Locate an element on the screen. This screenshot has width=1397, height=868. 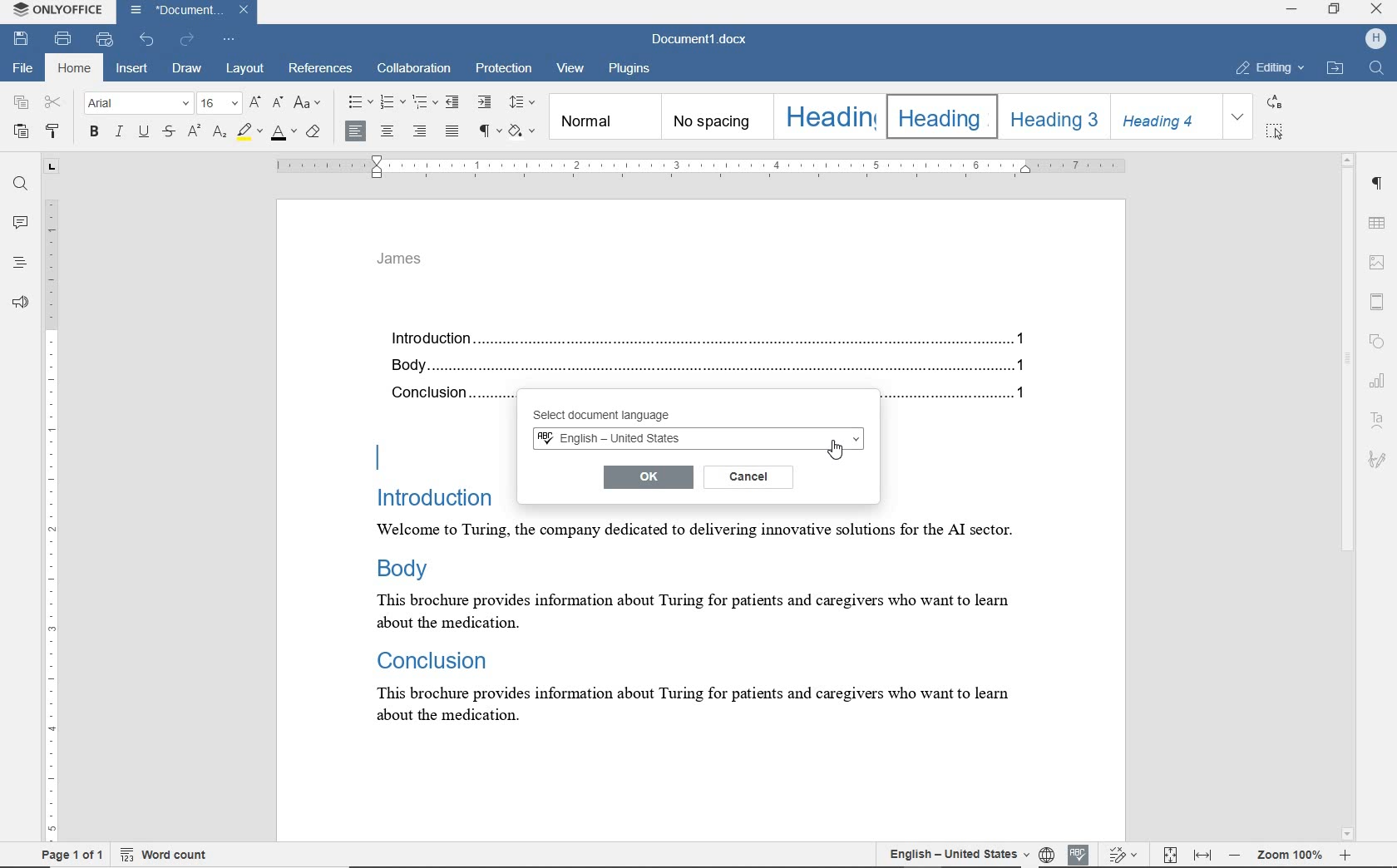
font size is located at coordinates (219, 104).